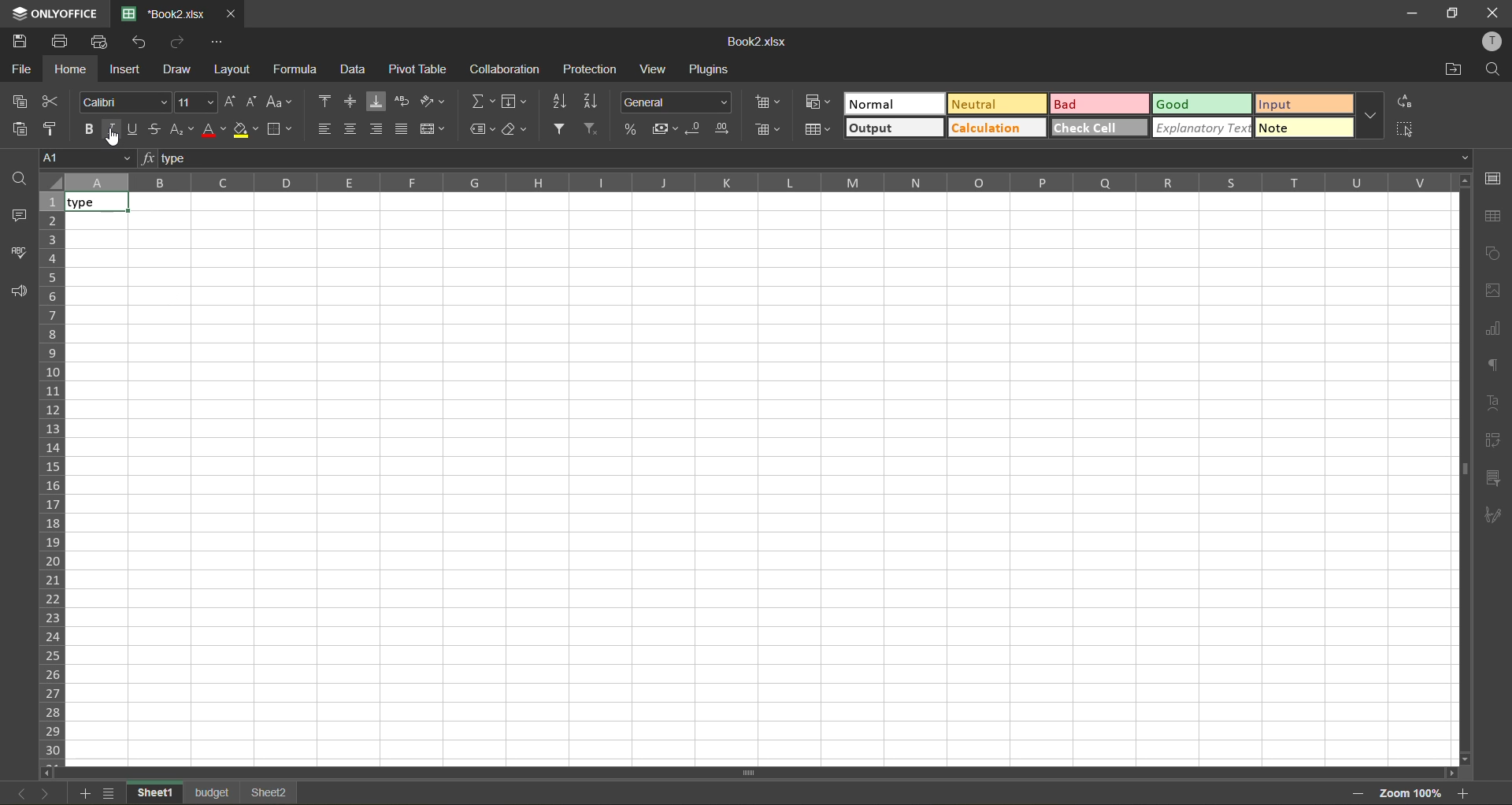 This screenshot has height=805, width=1512. What do you see at coordinates (679, 103) in the screenshot?
I see `number format` at bounding box center [679, 103].